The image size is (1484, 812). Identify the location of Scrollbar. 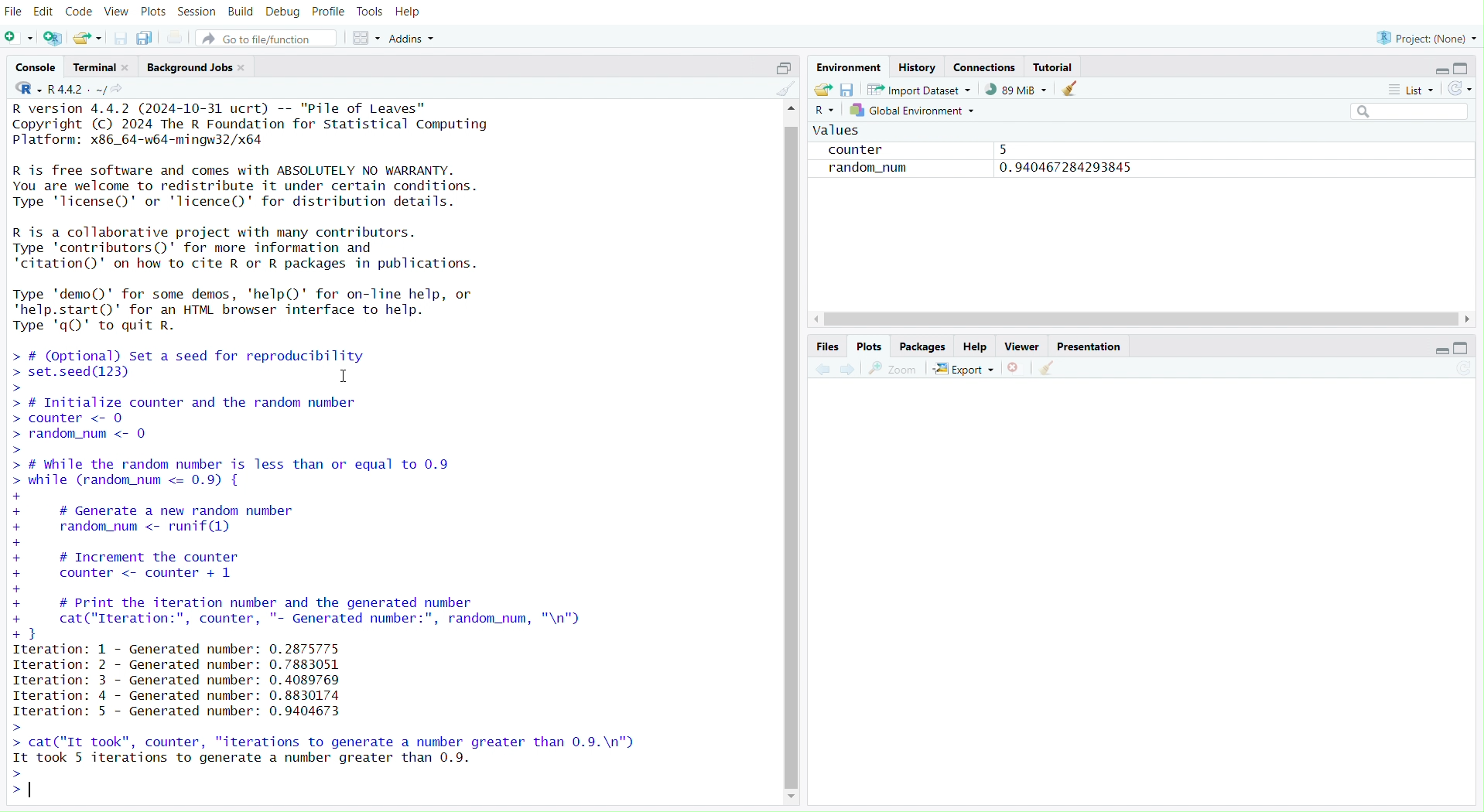
(795, 461).